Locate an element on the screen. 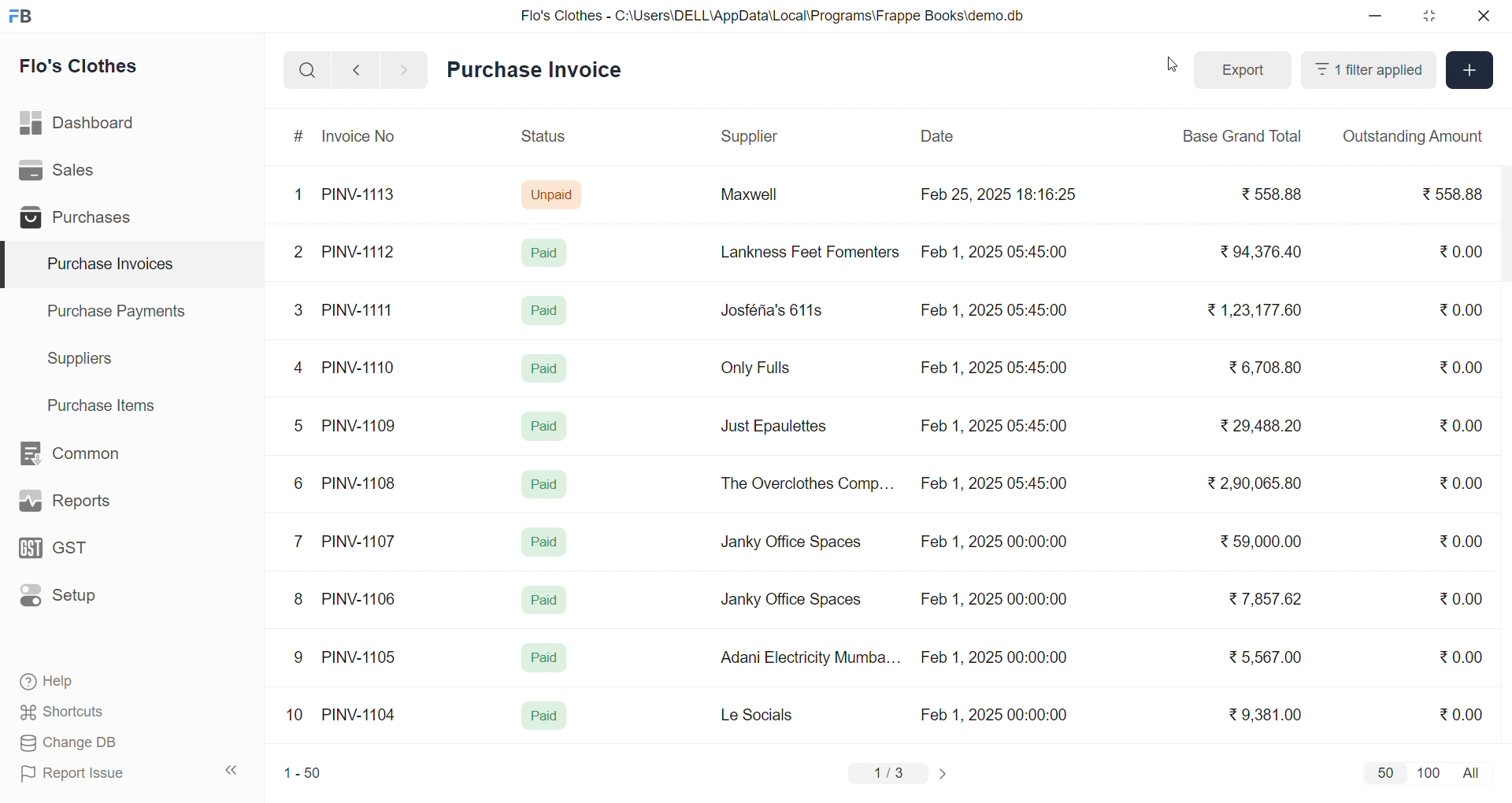  ₹6,708.80 is located at coordinates (1265, 364).